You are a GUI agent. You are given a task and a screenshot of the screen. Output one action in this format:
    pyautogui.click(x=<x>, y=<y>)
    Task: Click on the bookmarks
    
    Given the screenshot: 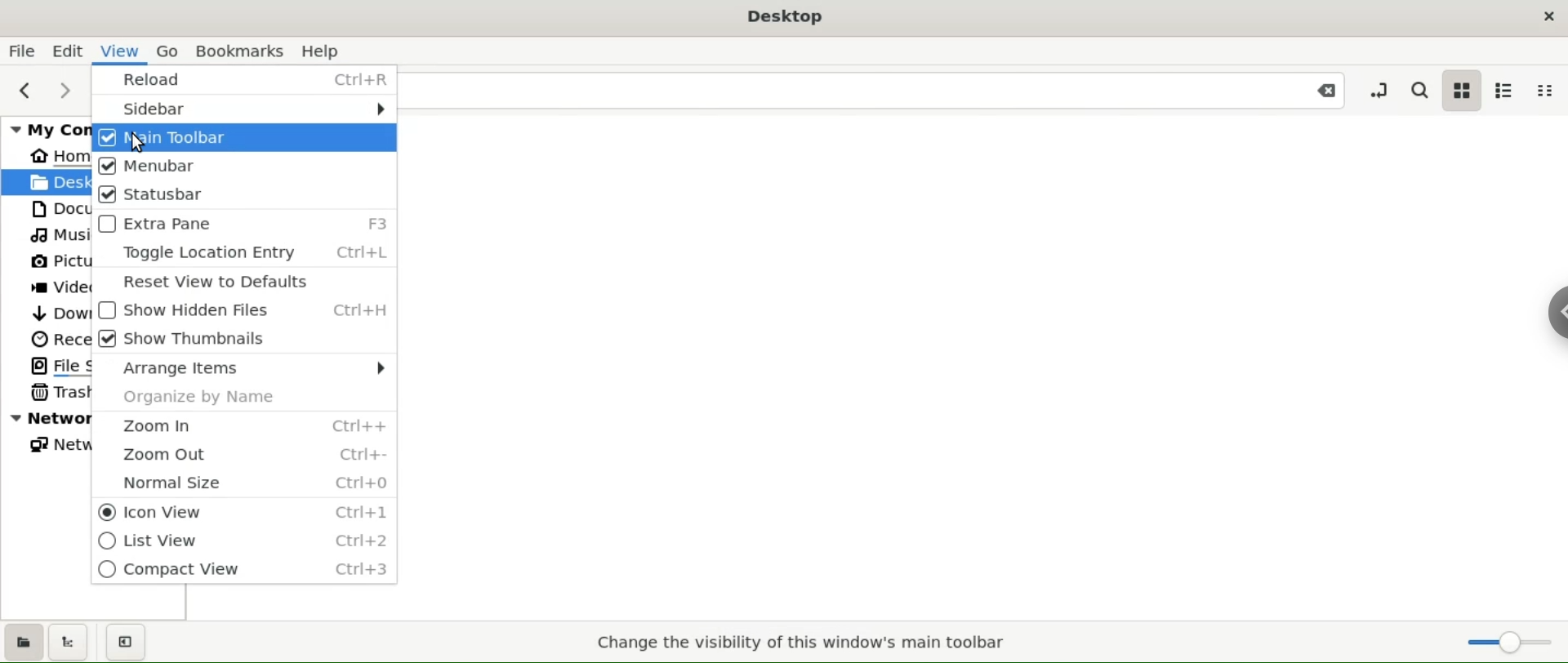 What is the action you would take?
    pyautogui.click(x=243, y=49)
    